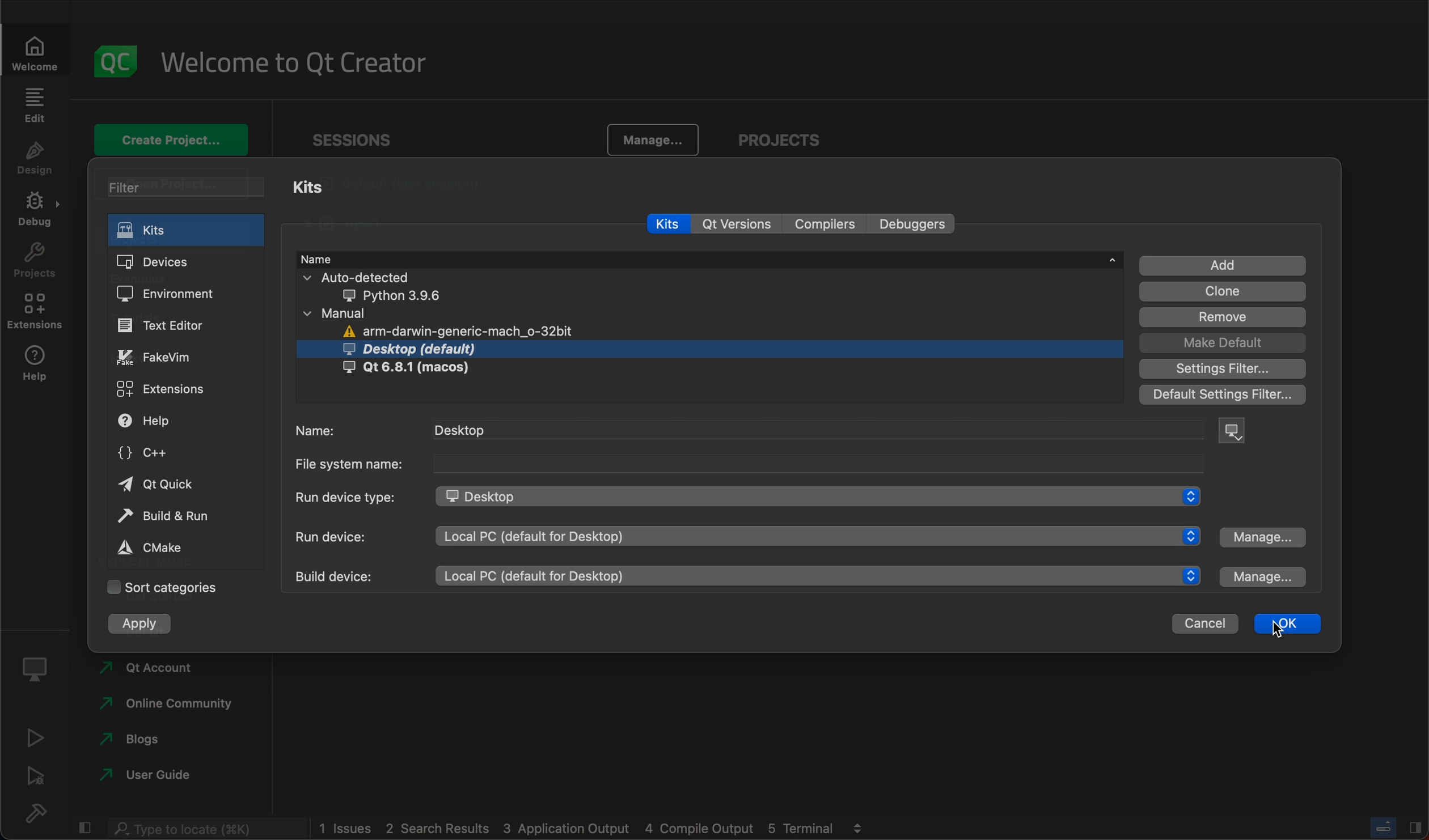  I want to click on design, so click(36, 160).